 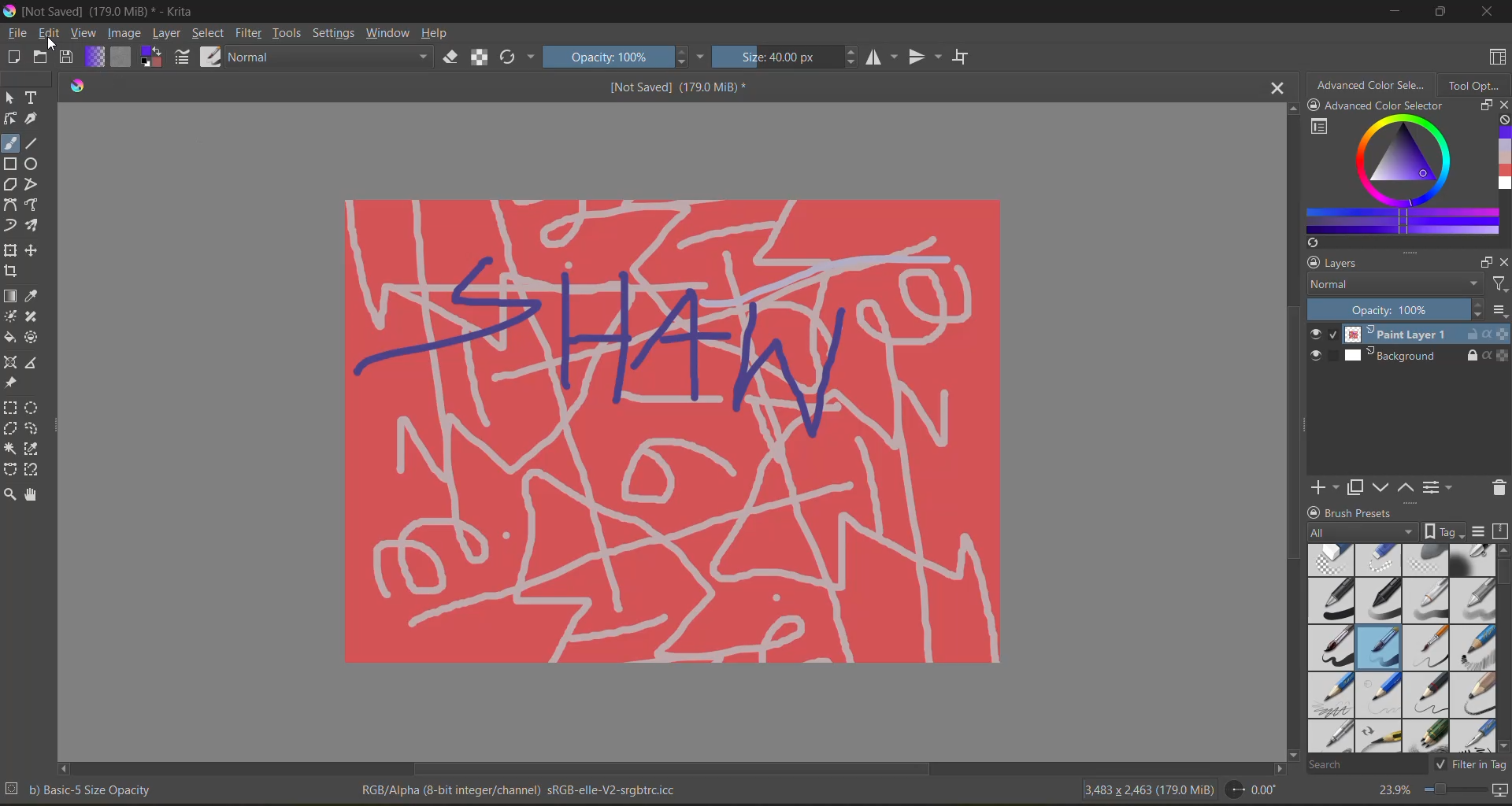 What do you see at coordinates (34, 408) in the screenshot?
I see `elliptical selection tool` at bounding box center [34, 408].